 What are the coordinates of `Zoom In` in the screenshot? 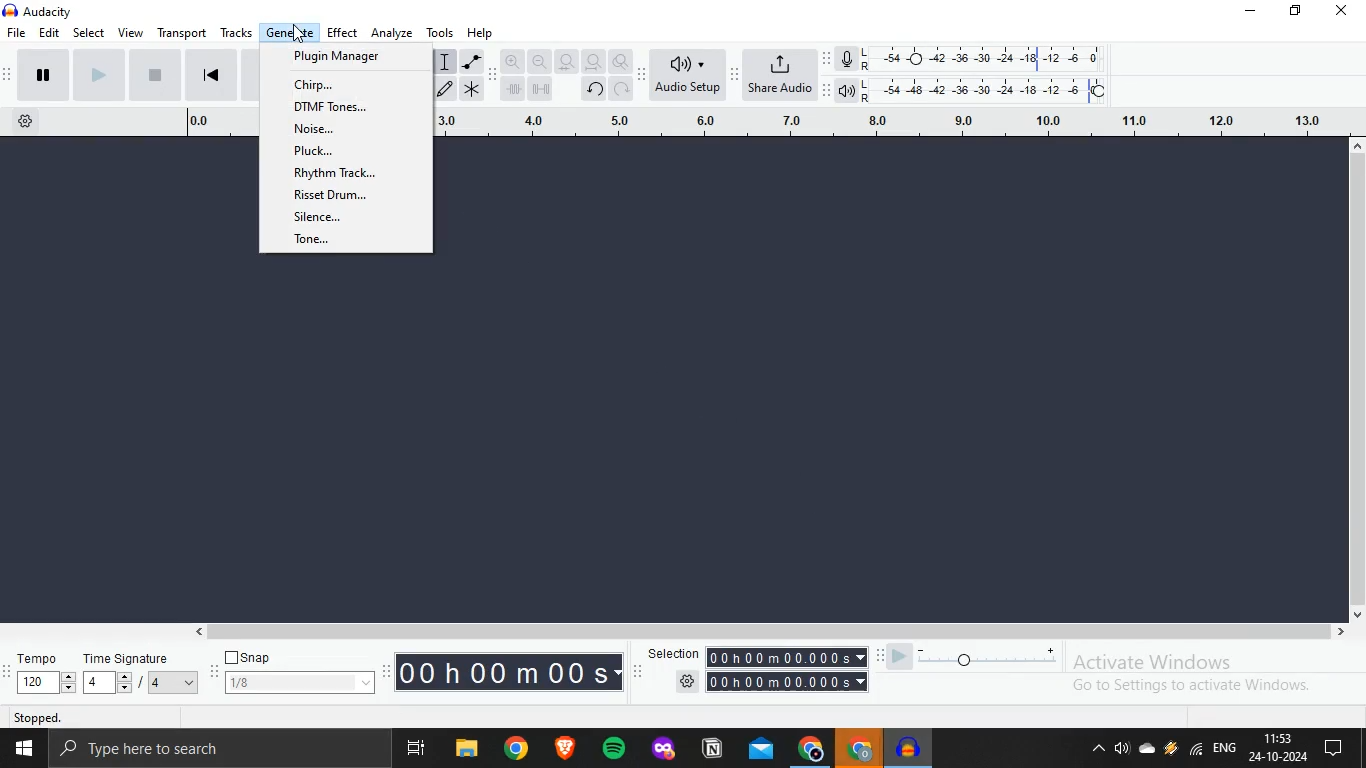 It's located at (511, 61).